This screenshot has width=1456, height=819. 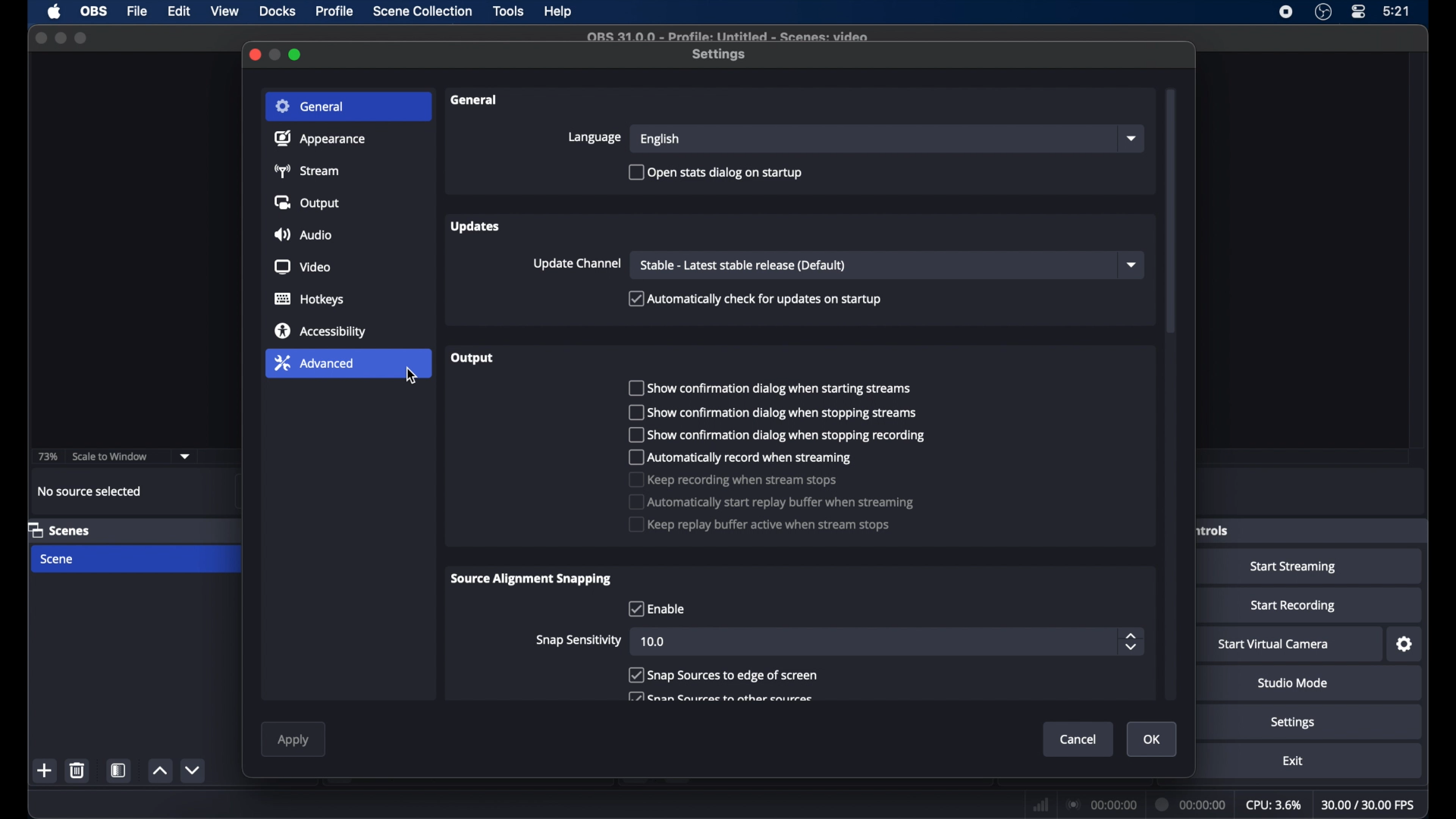 What do you see at coordinates (727, 37) in the screenshot?
I see `OBS 31.0.0 - Profile: Untitled - Scenes: video` at bounding box center [727, 37].